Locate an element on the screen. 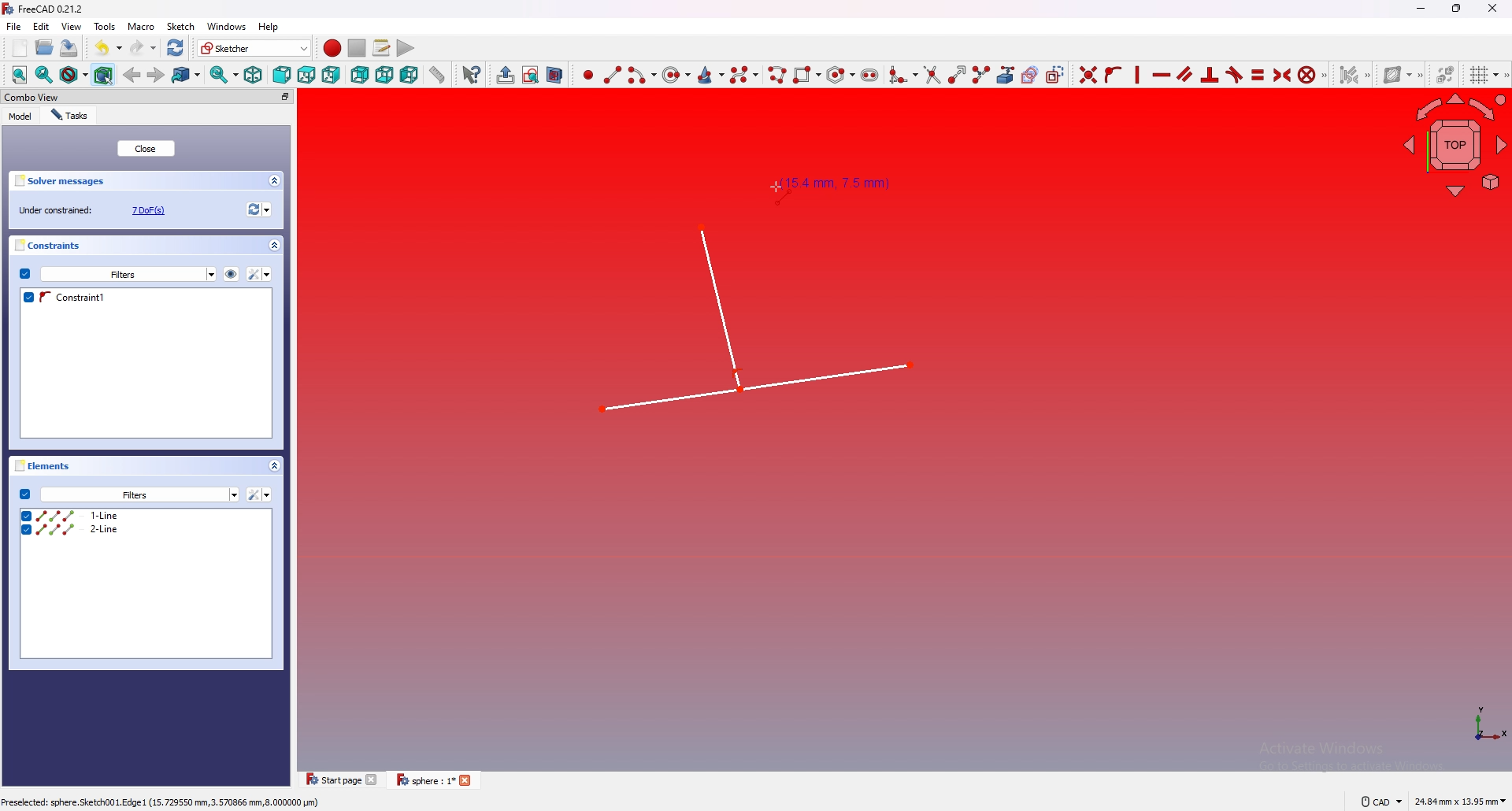 The height and width of the screenshot is (811, 1512). Create B-spline is located at coordinates (745, 74).